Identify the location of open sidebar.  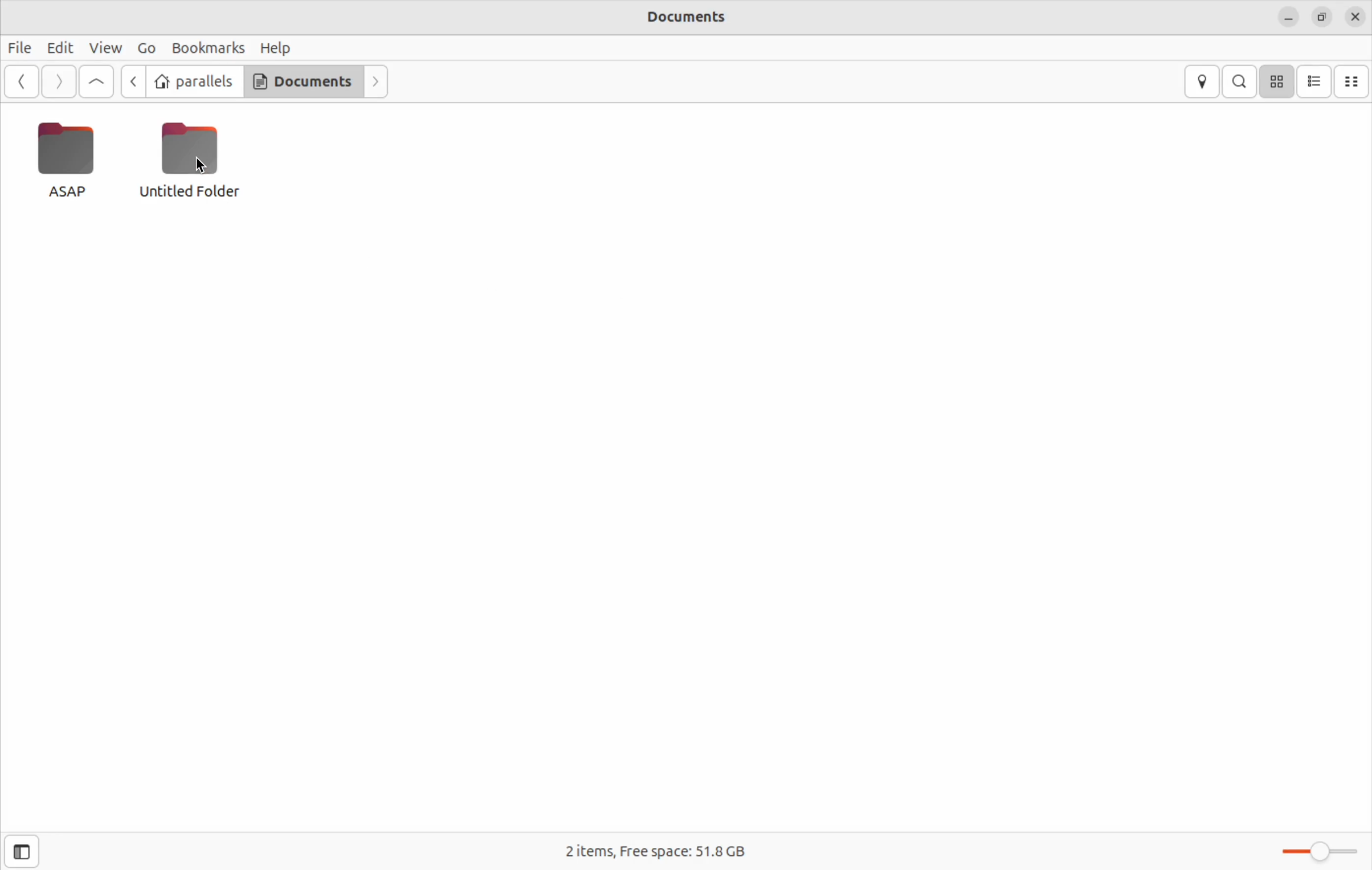
(29, 851).